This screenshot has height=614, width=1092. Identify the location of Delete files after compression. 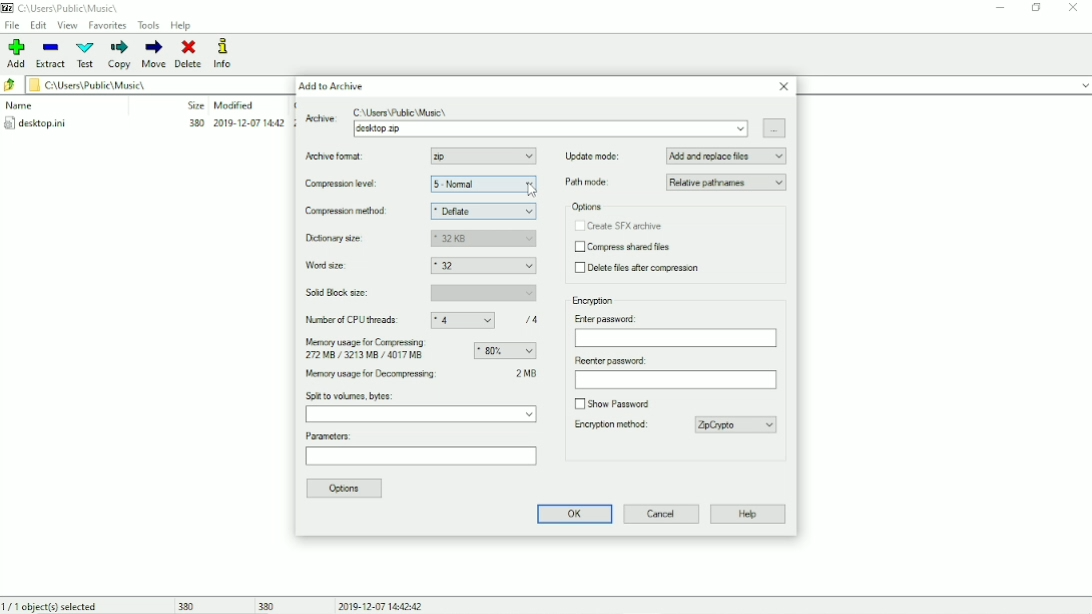
(641, 269).